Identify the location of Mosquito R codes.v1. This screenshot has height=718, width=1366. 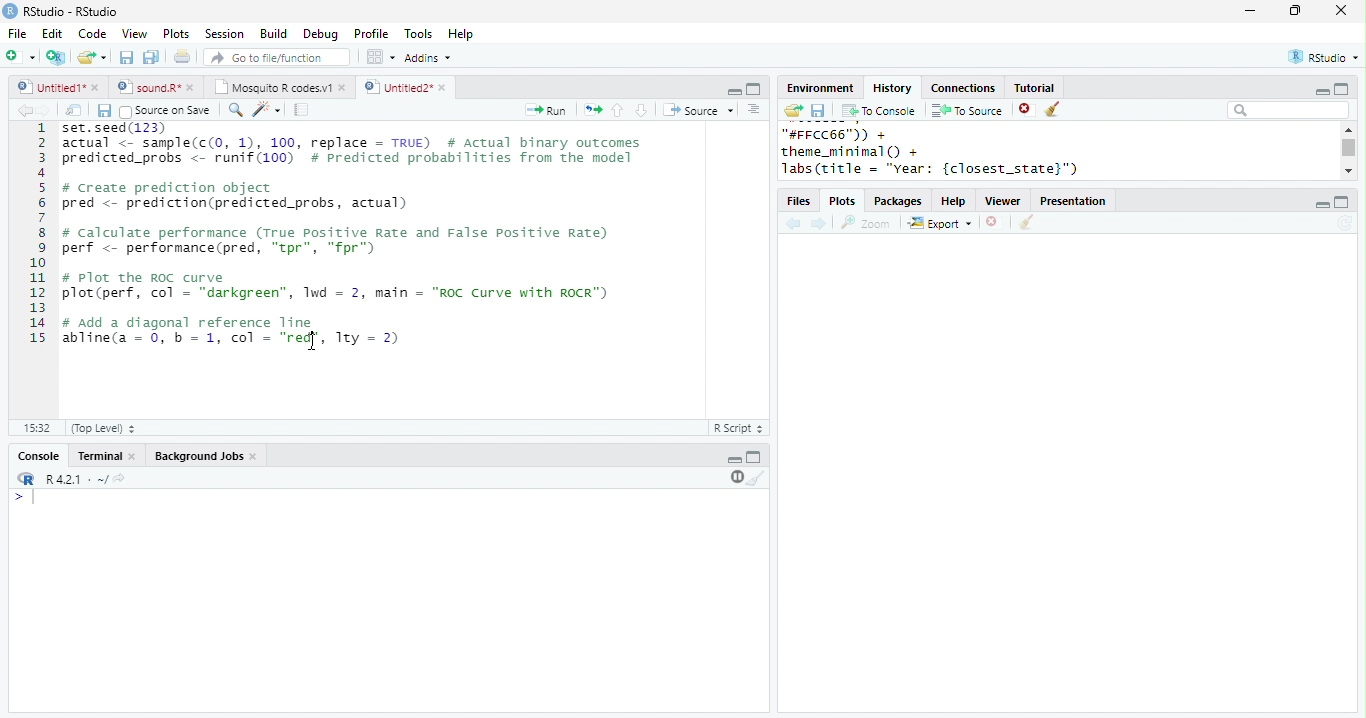
(273, 87).